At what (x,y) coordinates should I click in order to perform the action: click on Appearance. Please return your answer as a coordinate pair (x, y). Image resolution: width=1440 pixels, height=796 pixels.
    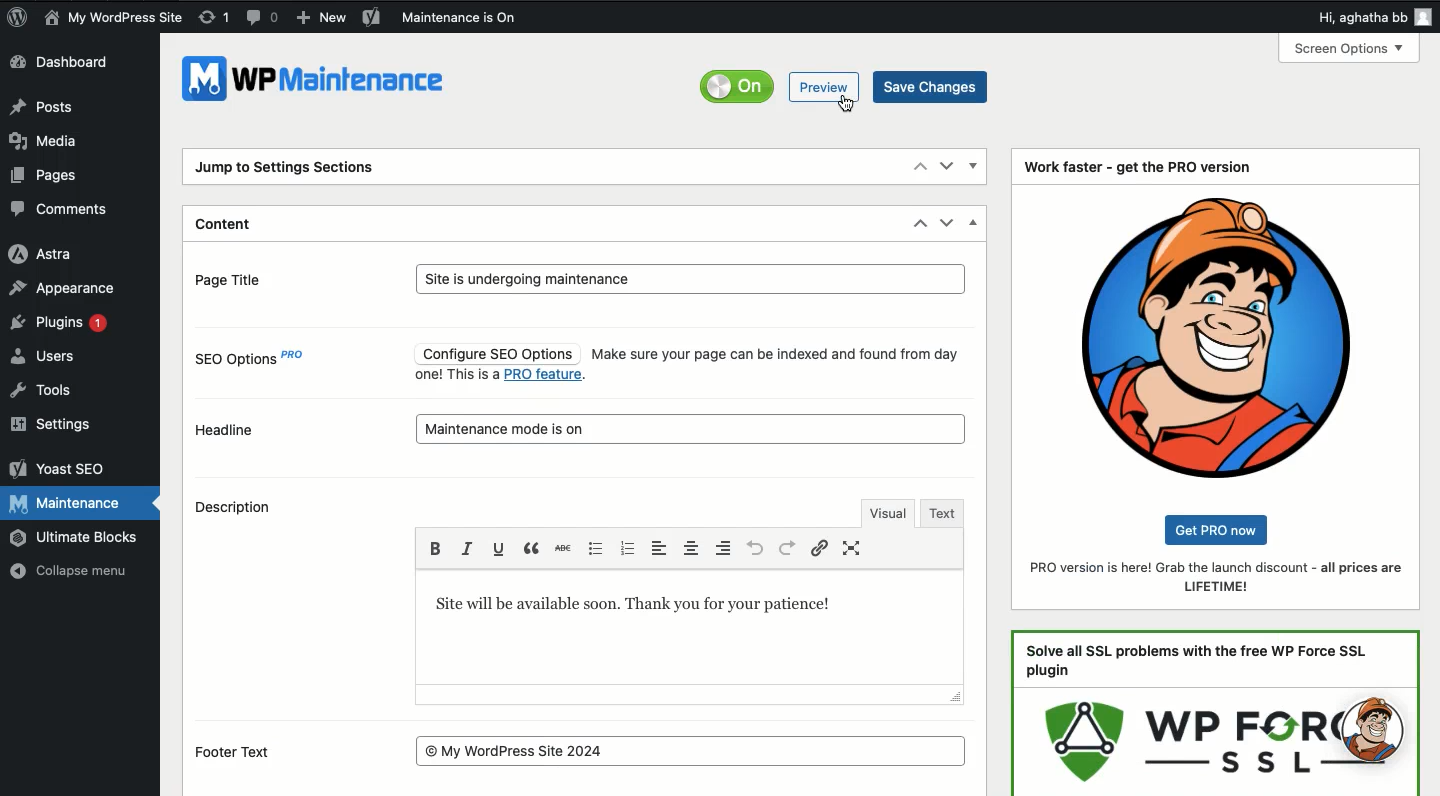
    Looking at the image, I should click on (67, 288).